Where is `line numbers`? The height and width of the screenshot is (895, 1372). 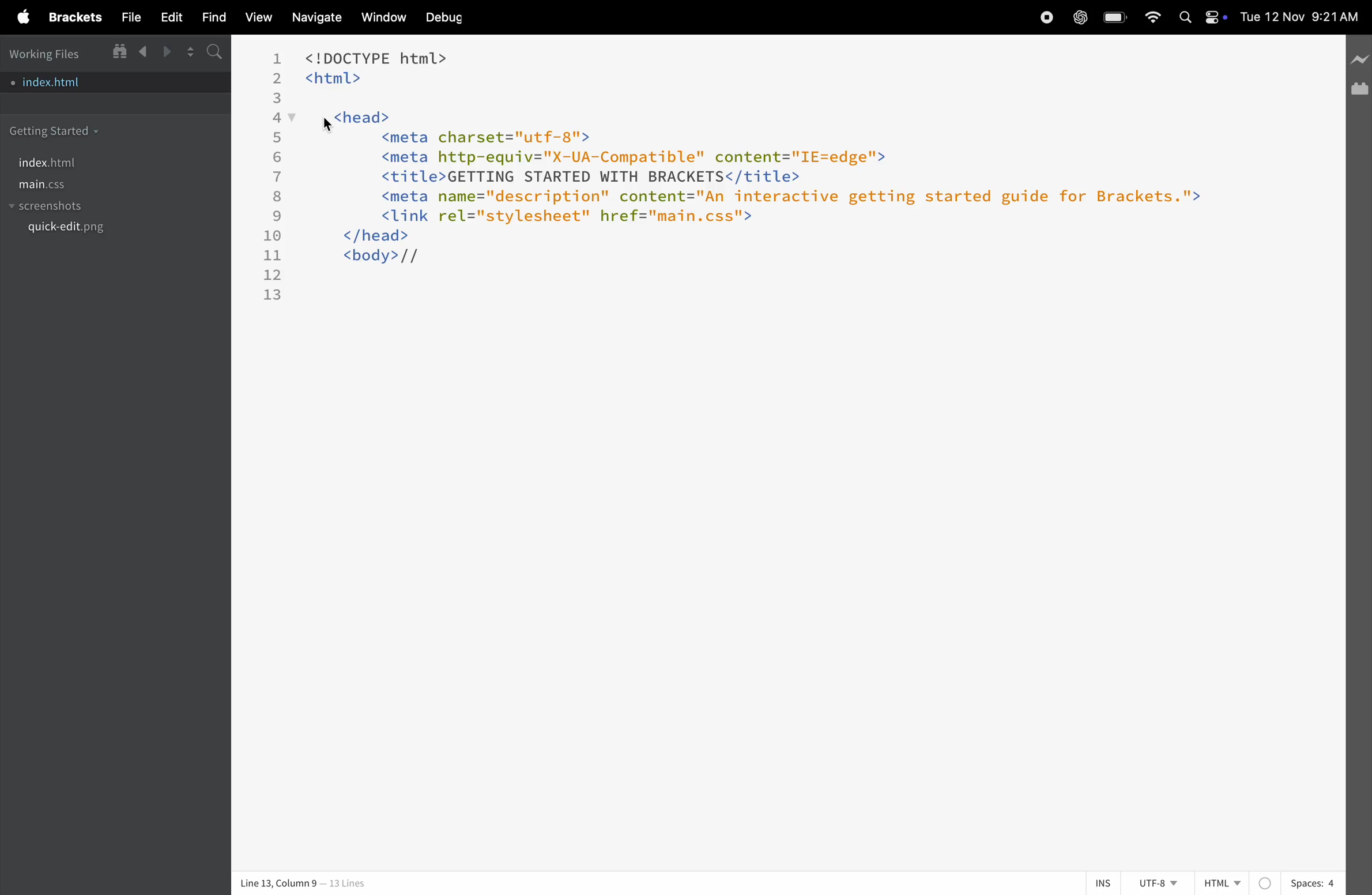 line numbers is located at coordinates (273, 180).